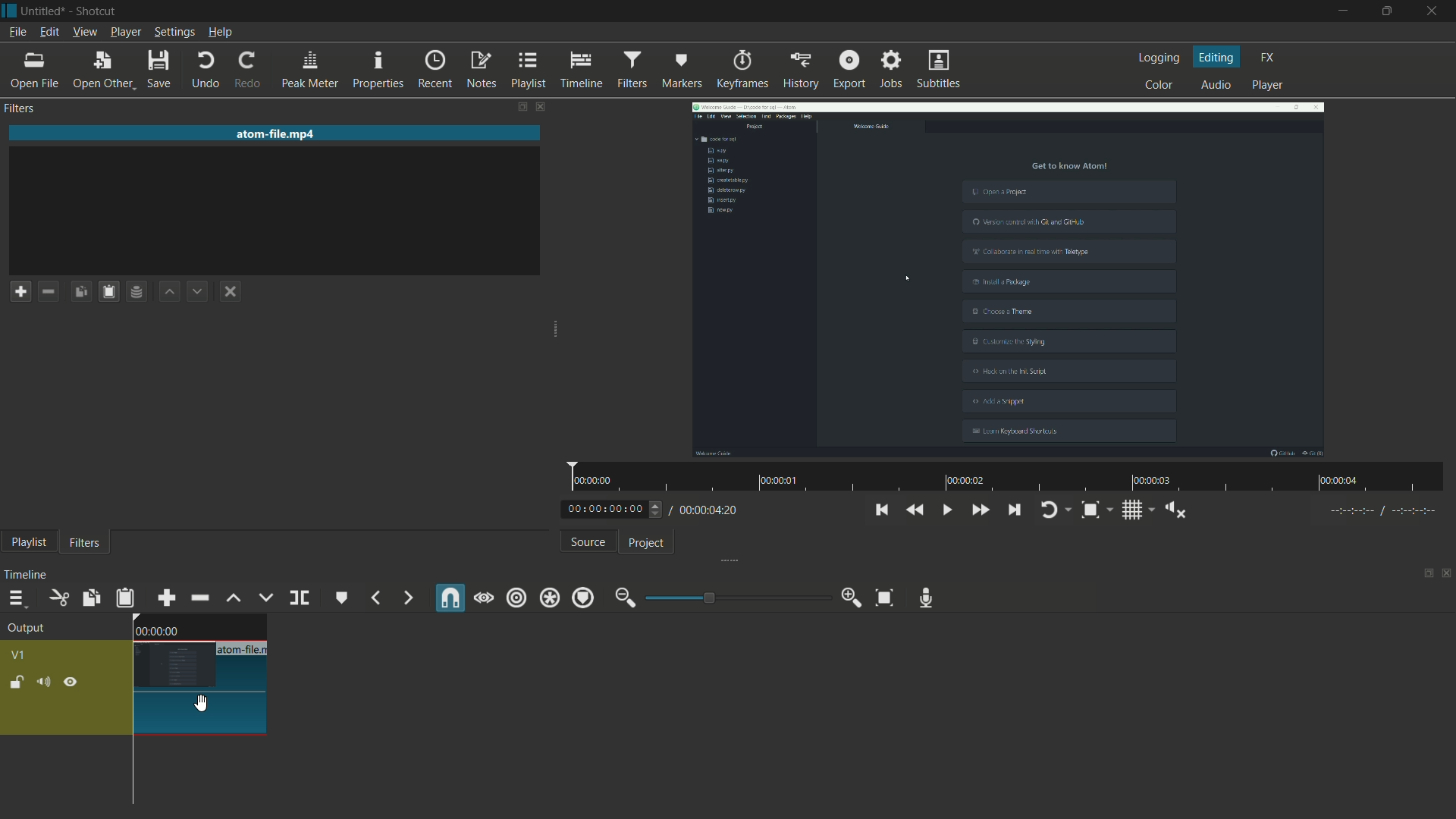  What do you see at coordinates (1422, 577) in the screenshot?
I see `change layout` at bounding box center [1422, 577].